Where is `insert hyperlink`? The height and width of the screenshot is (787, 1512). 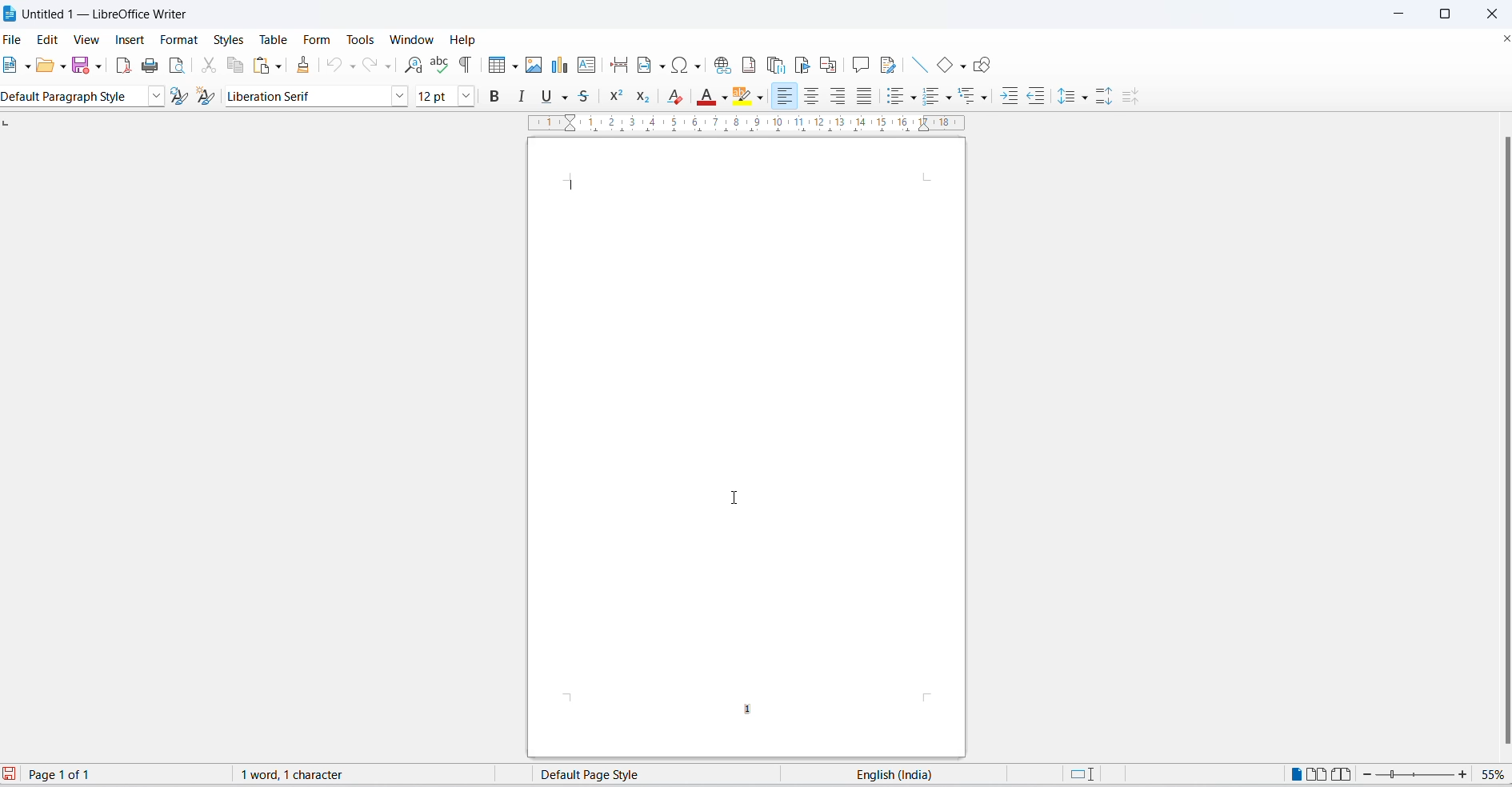 insert hyperlink is located at coordinates (722, 64).